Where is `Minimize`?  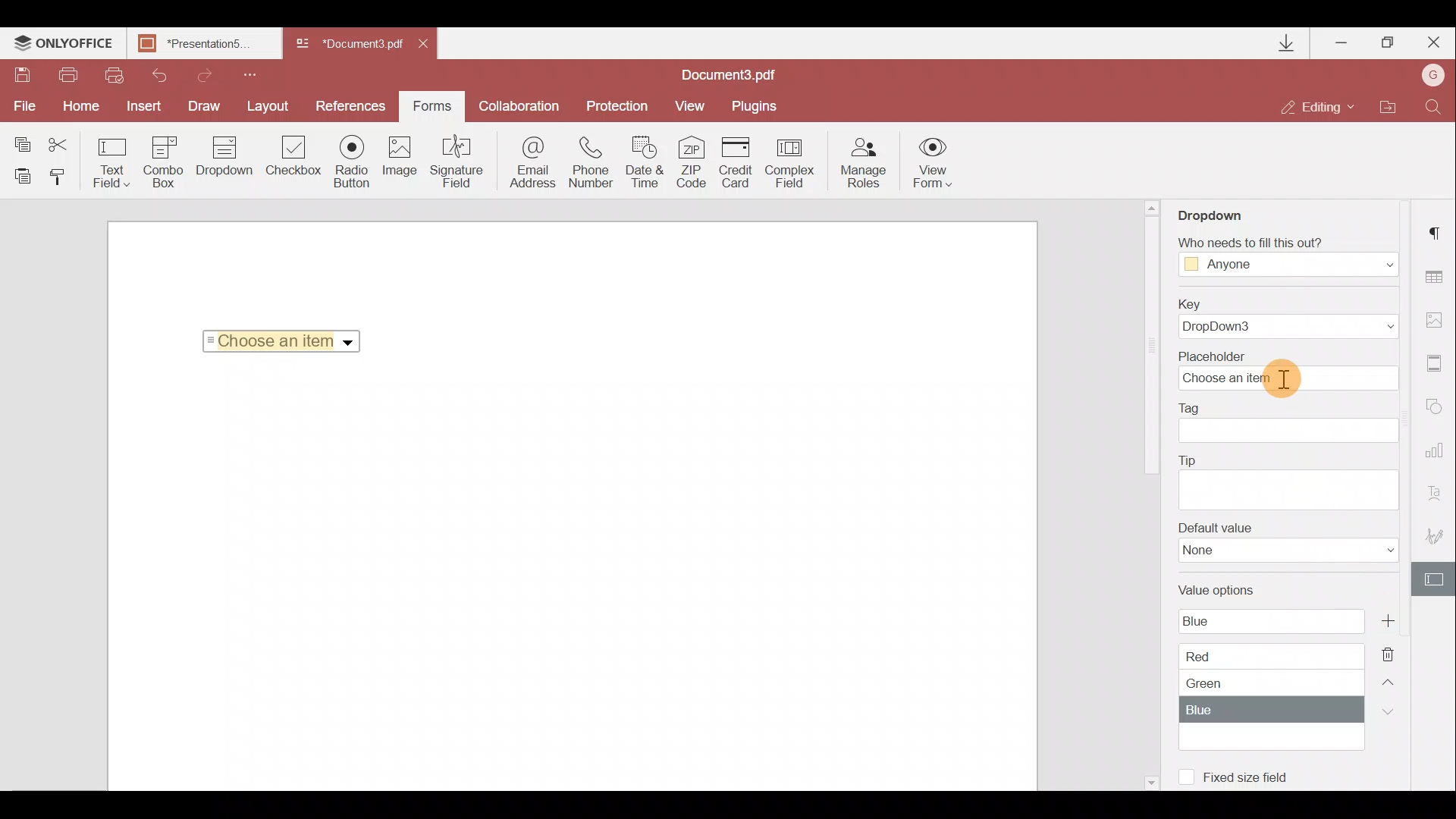 Minimize is located at coordinates (1339, 42).